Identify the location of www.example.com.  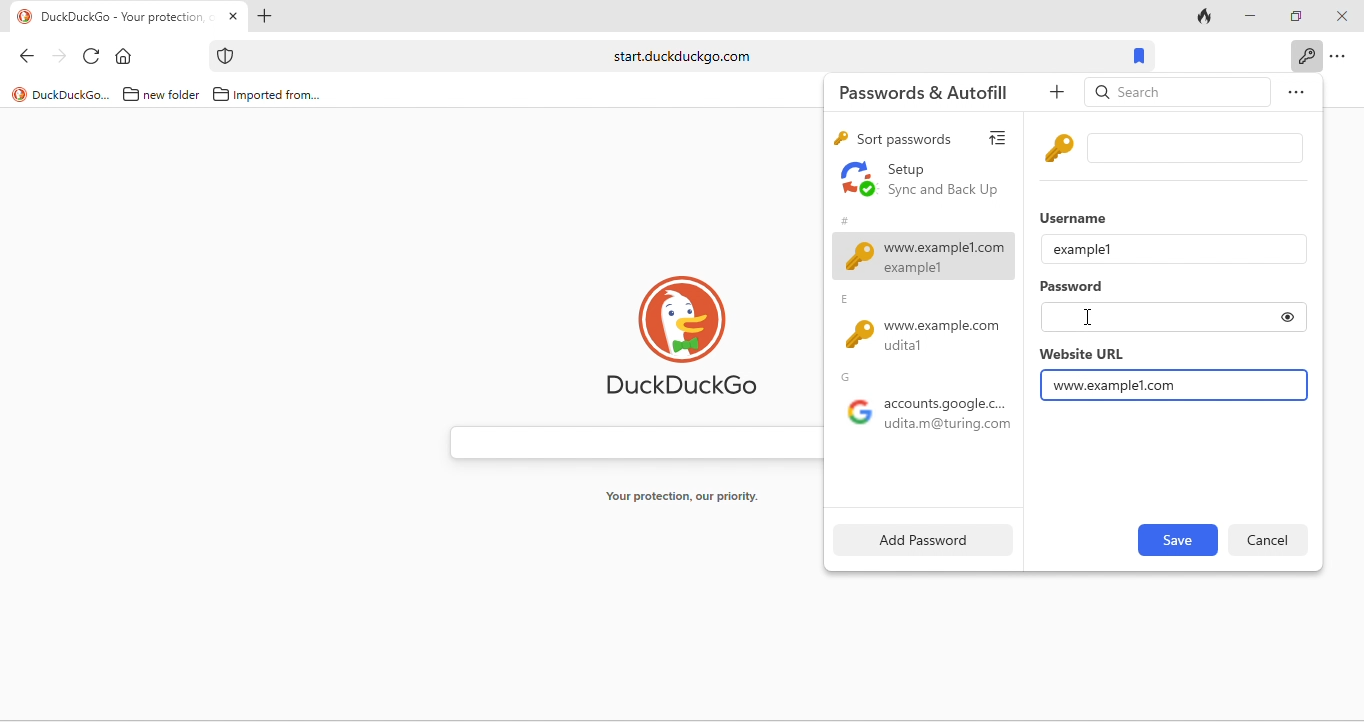
(930, 337).